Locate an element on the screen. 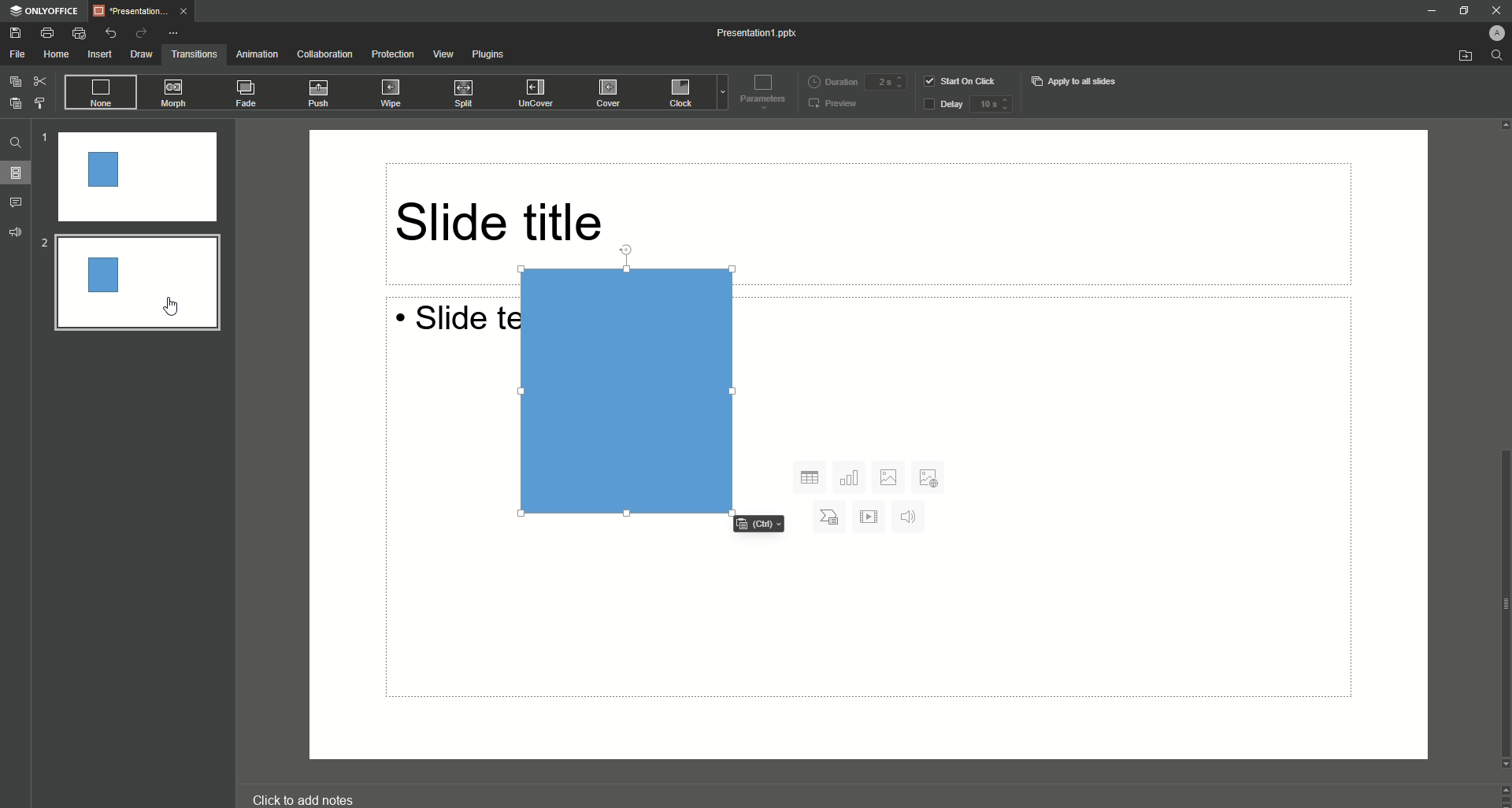  Cltr is located at coordinates (759, 524).